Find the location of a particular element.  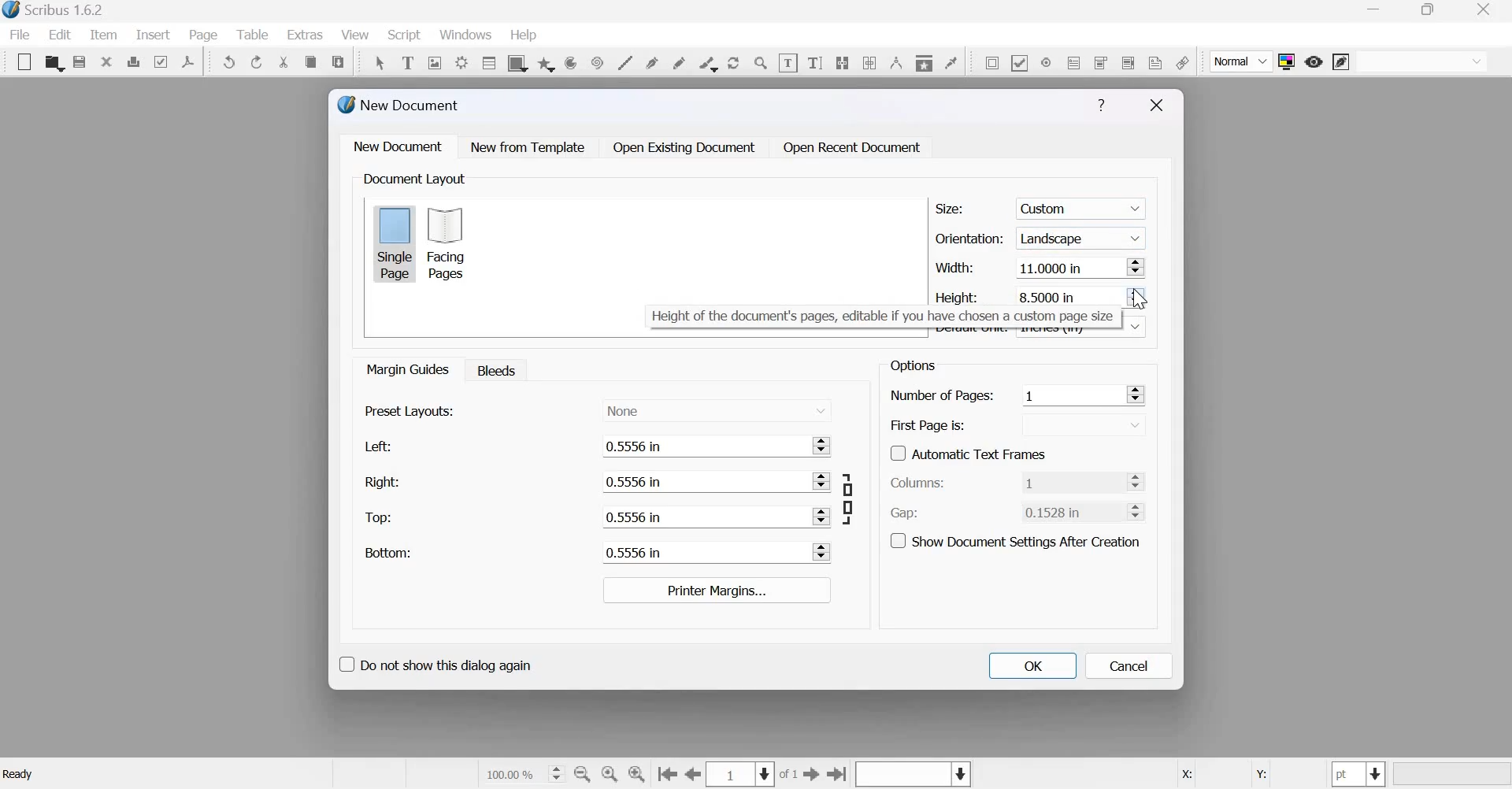

Top: is located at coordinates (380, 518).